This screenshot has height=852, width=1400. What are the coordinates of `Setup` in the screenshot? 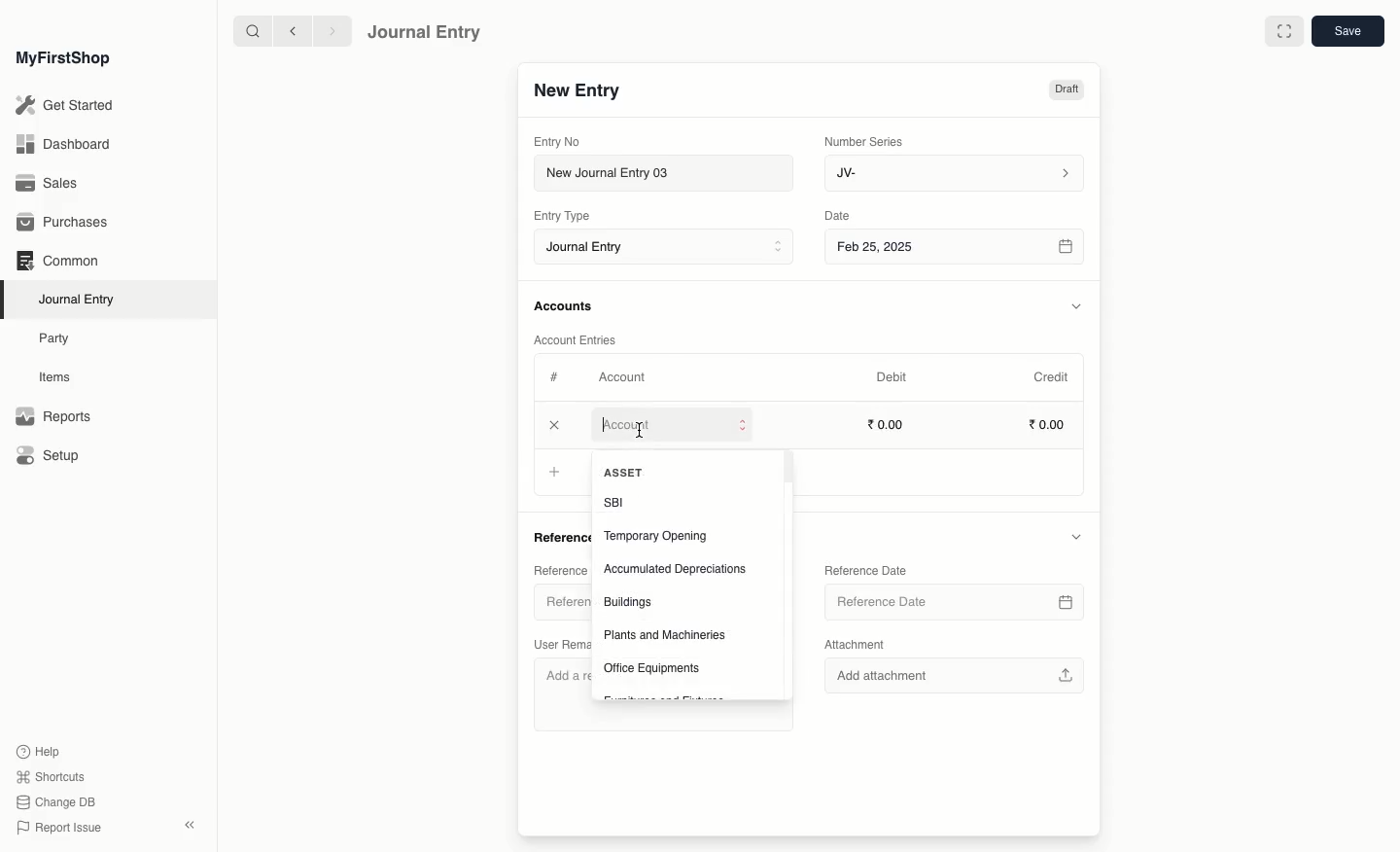 It's located at (50, 457).